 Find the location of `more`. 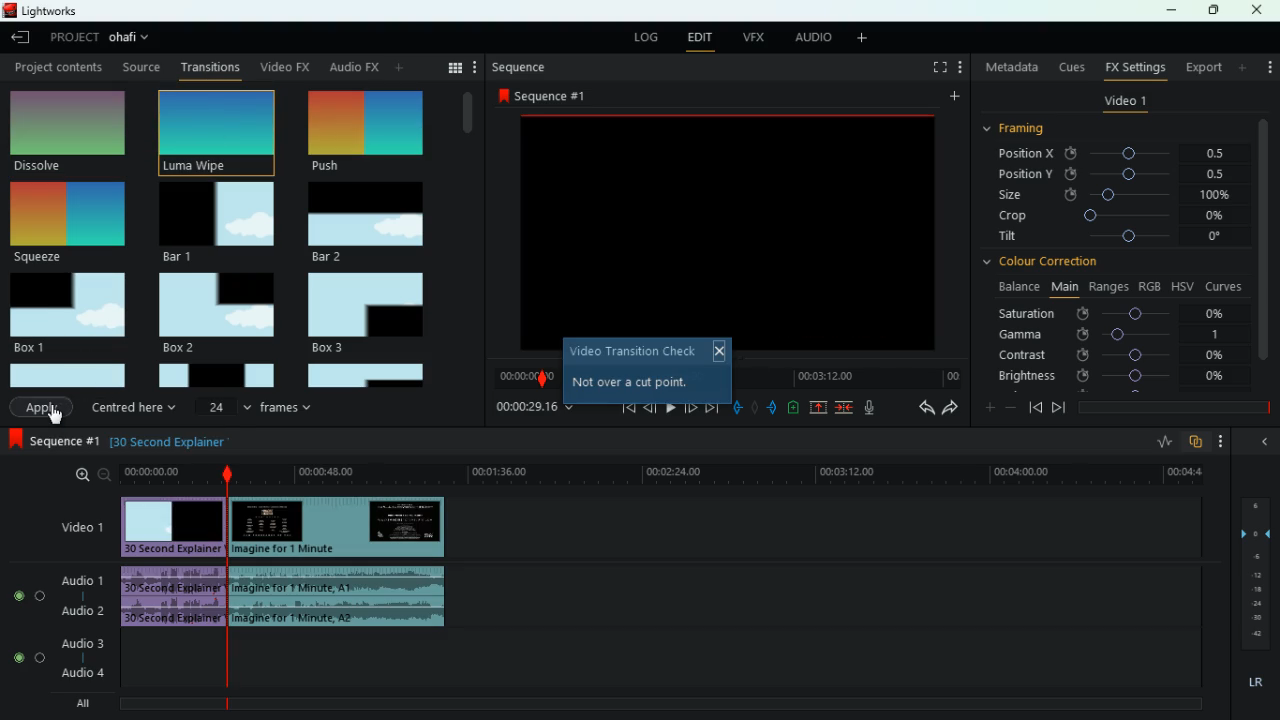

more is located at coordinates (400, 67).